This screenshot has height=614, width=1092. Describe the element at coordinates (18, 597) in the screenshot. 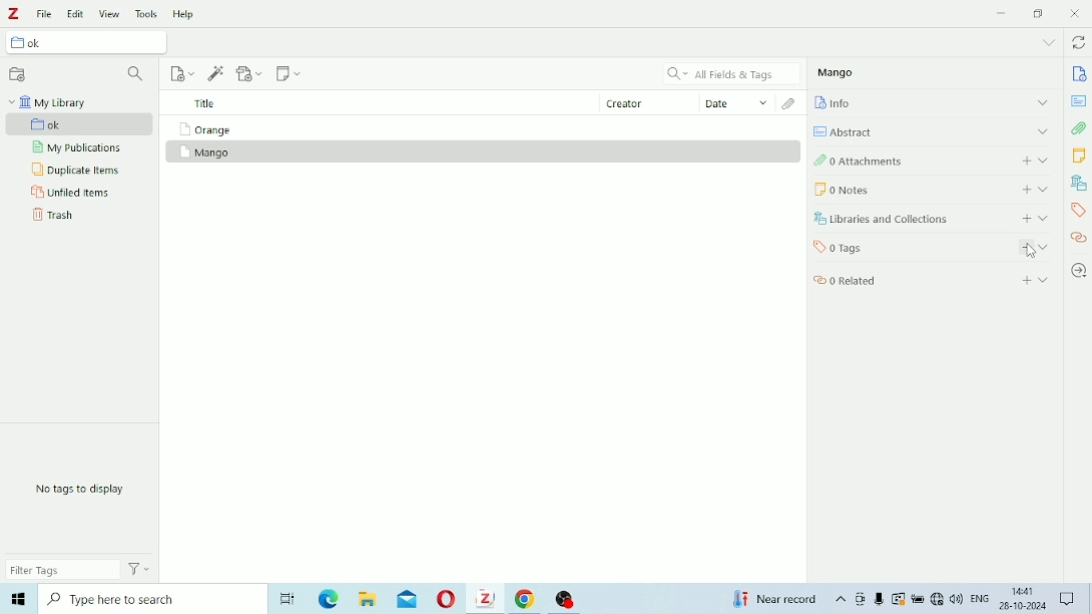

I see `Windows` at that location.